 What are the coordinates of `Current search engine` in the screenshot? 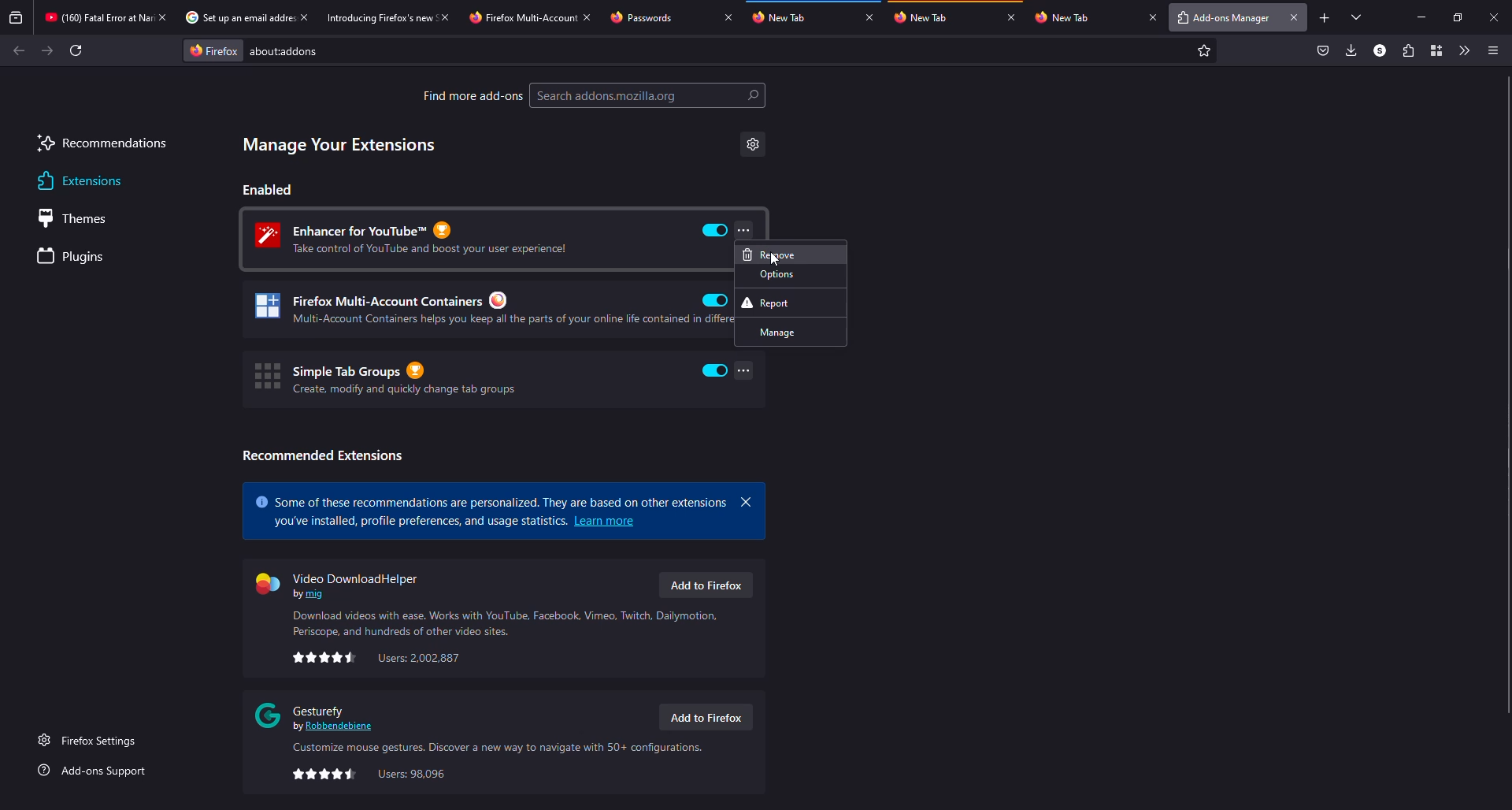 It's located at (213, 51).